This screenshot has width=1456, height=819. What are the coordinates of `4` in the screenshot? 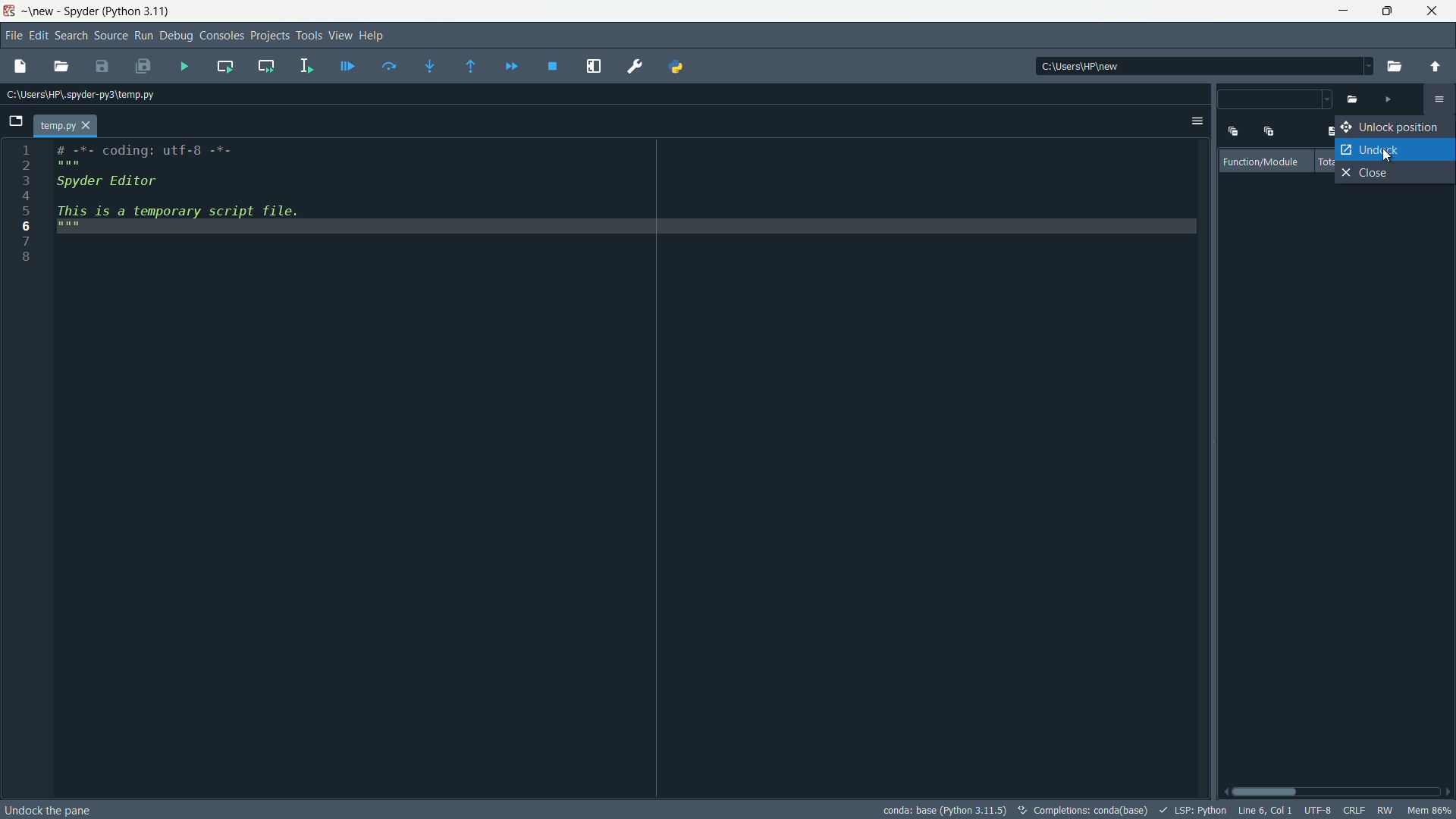 It's located at (25, 195).